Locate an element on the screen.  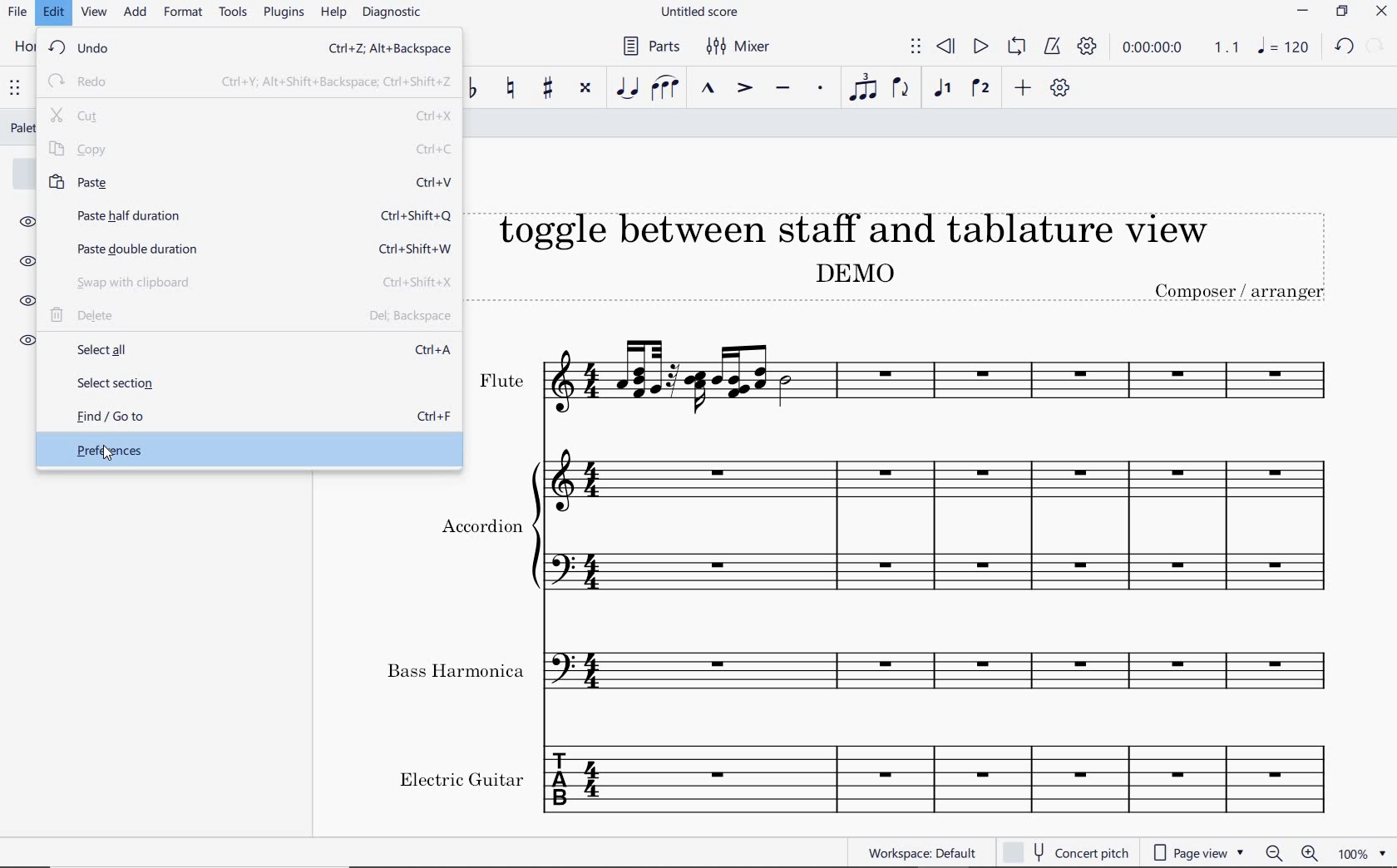
NOTE is located at coordinates (1284, 49).